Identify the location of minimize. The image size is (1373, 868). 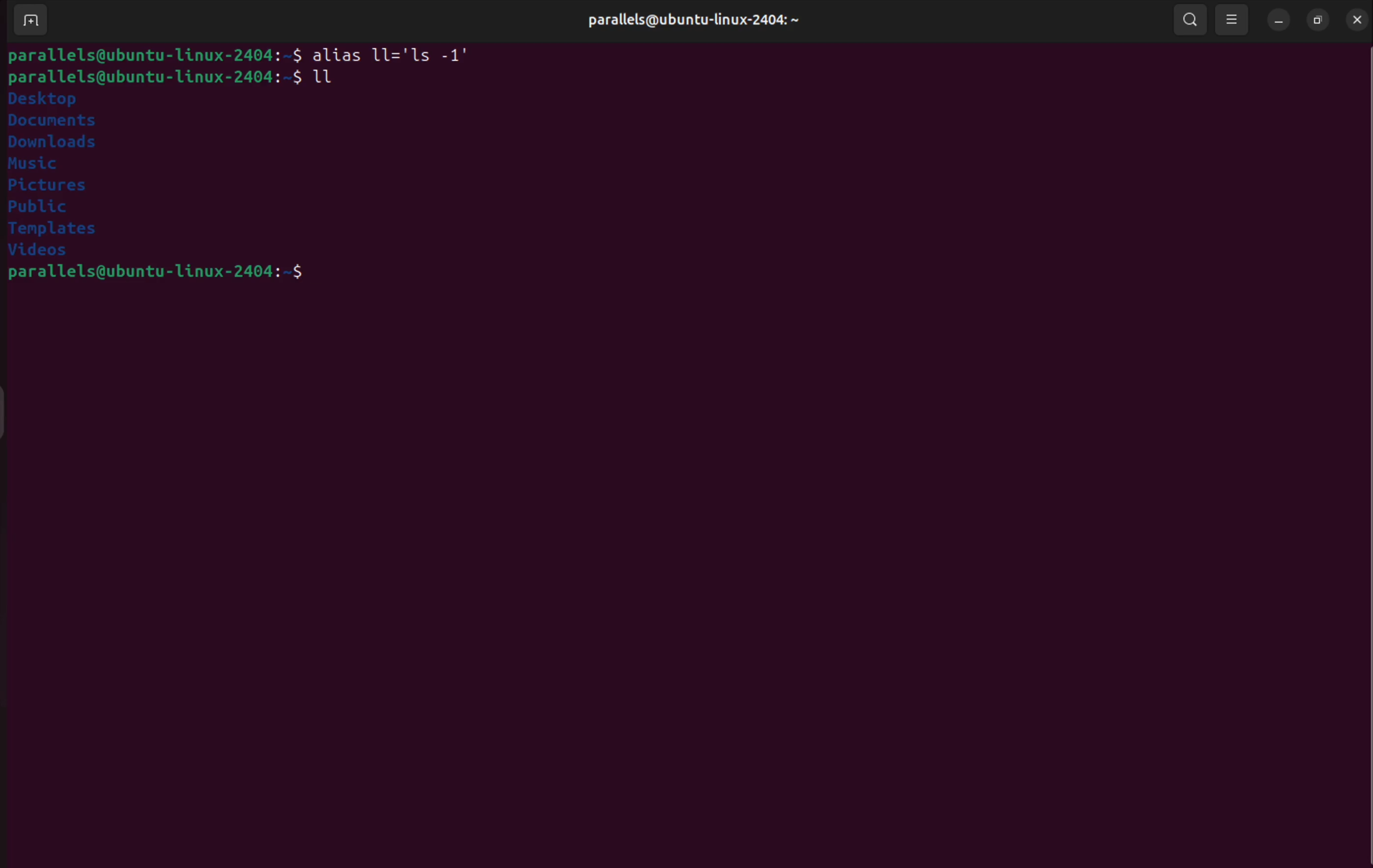
(1279, 22).